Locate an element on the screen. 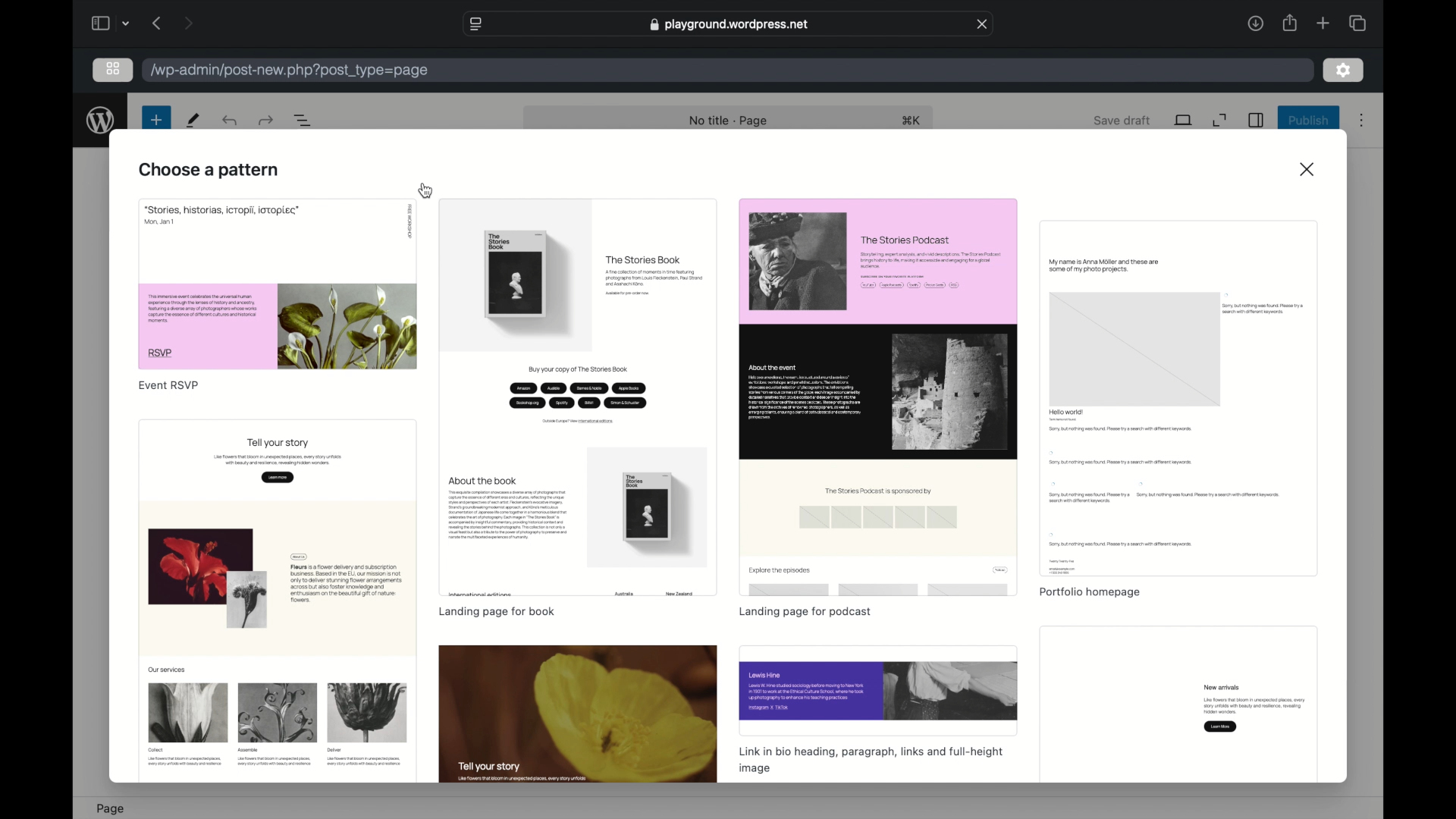 The width and height of the screenshot is (1456, 819). tools is located at coordinates (194, 120).